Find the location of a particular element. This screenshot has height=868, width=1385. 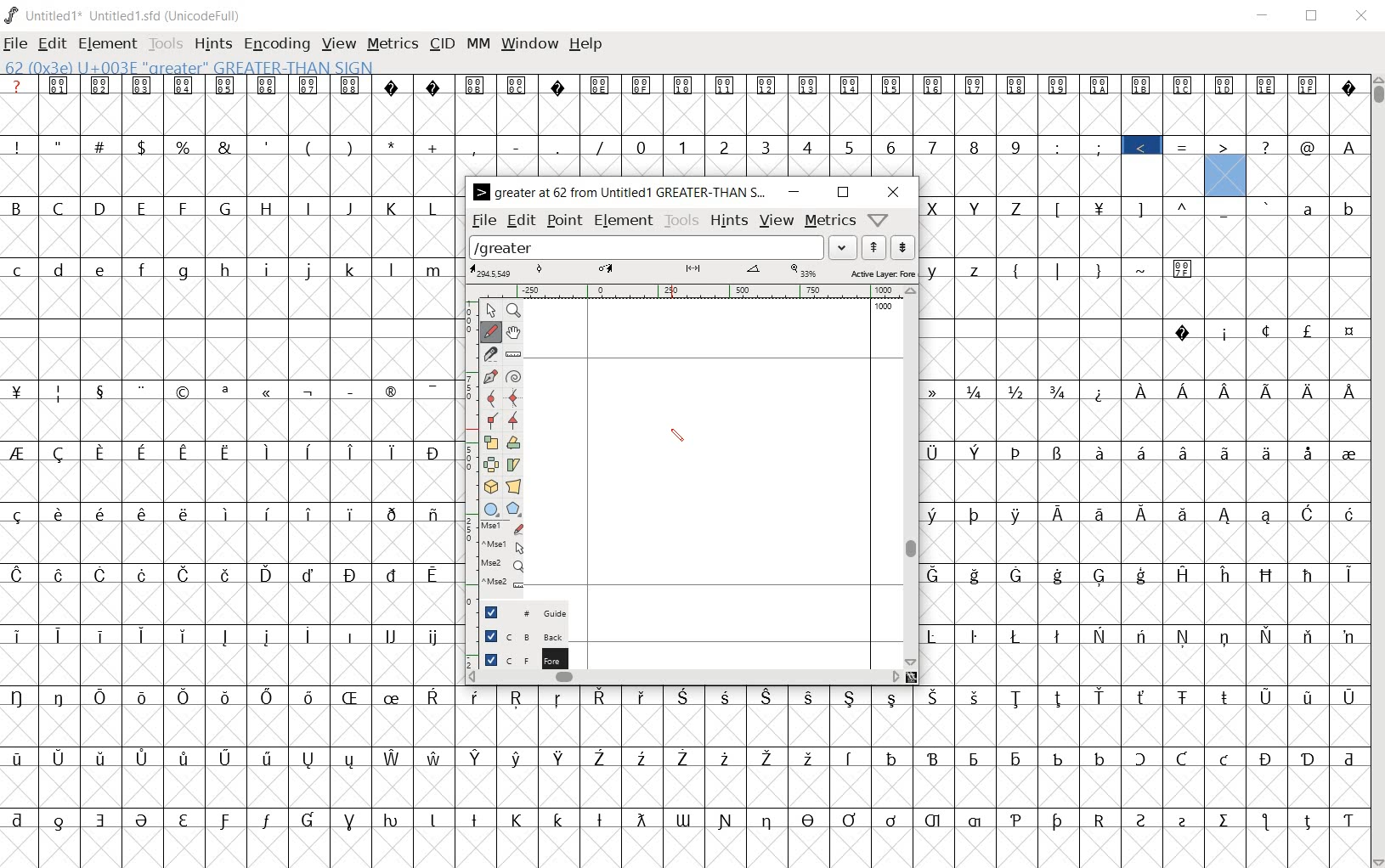

element is located at coordinates (625, 222).